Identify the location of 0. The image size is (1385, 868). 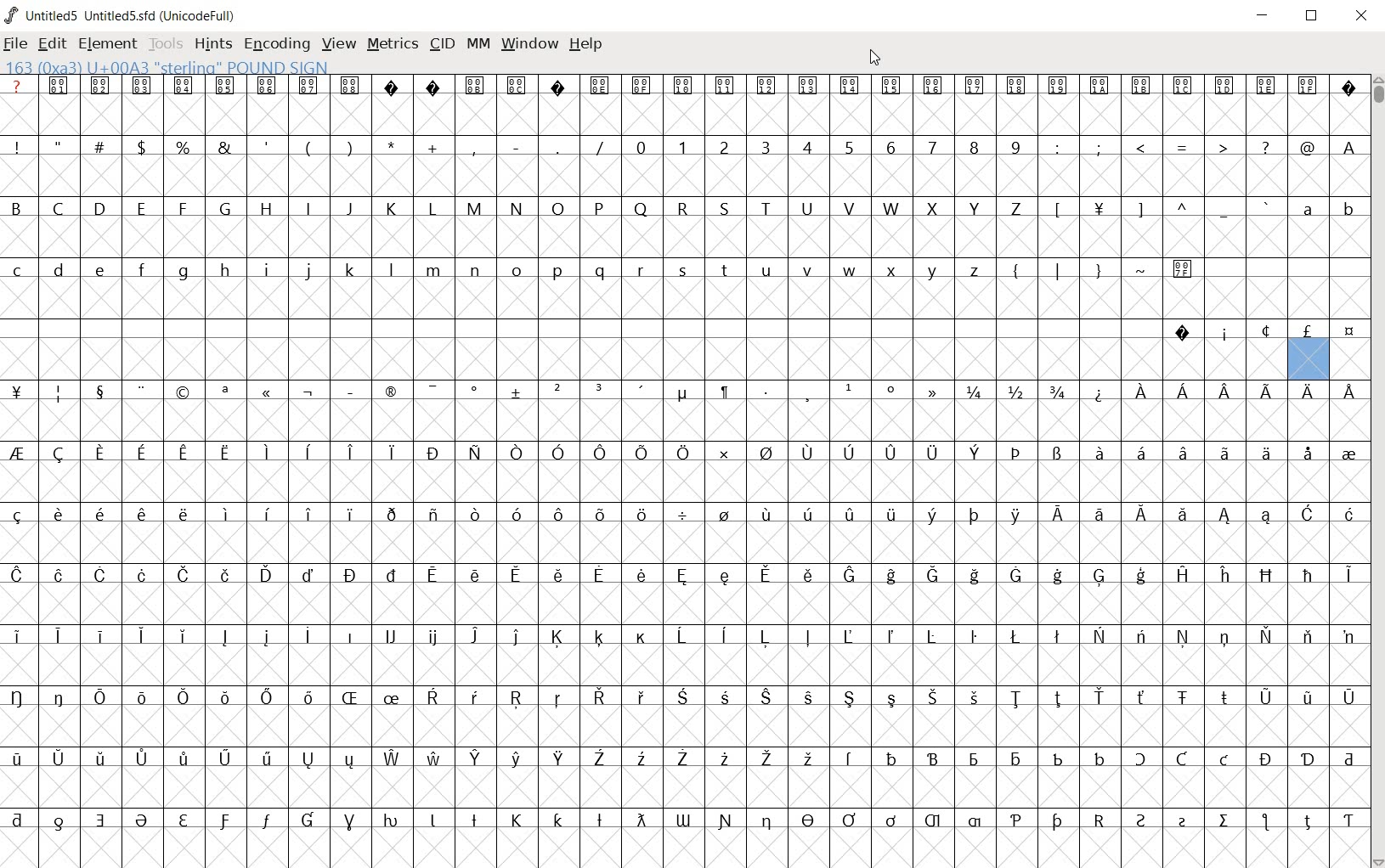
(639, 146).